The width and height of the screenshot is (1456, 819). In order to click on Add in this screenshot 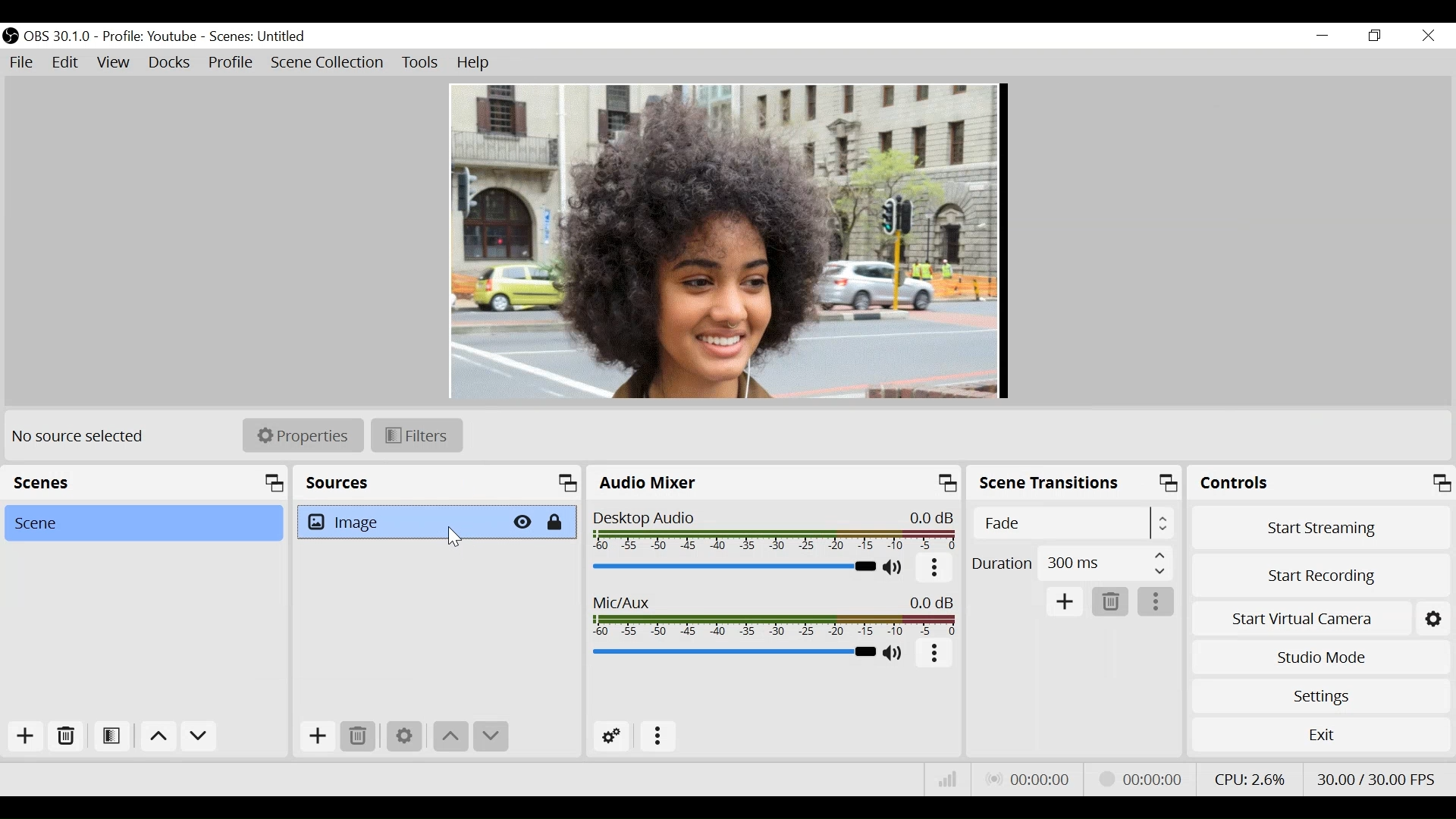, I will do `click(1064, 602)`.